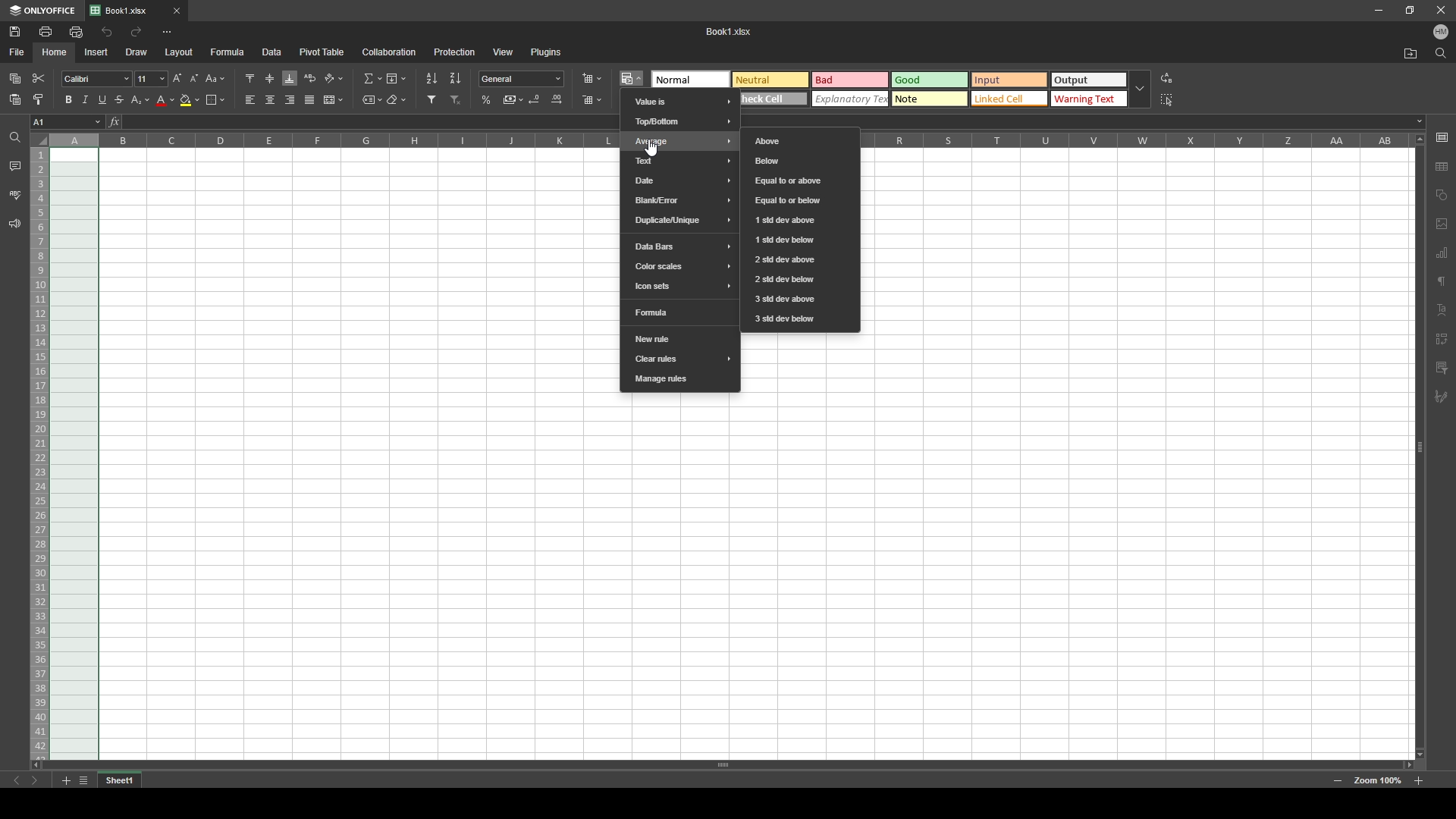 Image resolution: width=1456 pixels, height=819 pixels. Describe the element at coordinates (682, 313) in the screenshot. I see `formula` at that location.